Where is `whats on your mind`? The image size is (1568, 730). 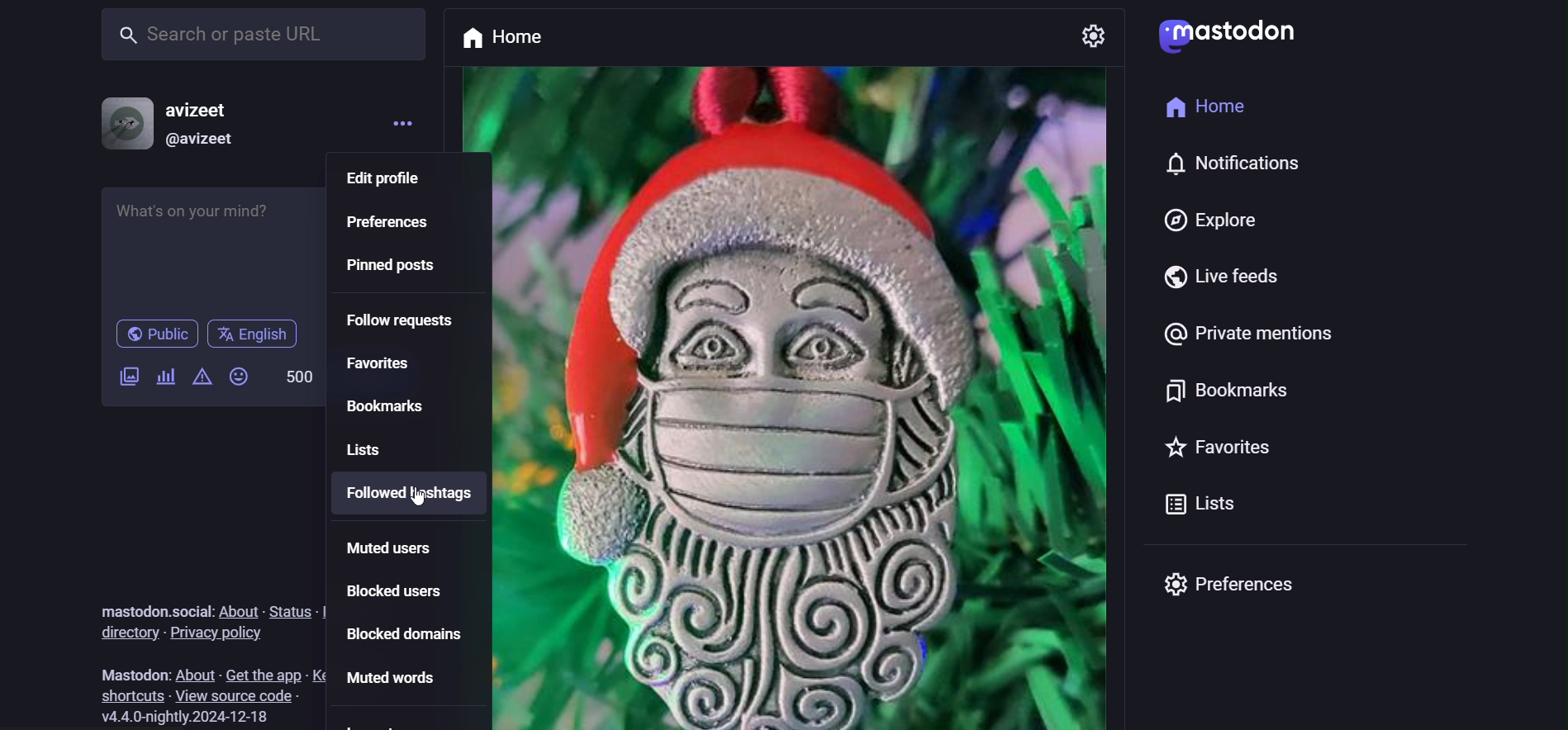
whats on your mind is located at coordinates (216, 248).